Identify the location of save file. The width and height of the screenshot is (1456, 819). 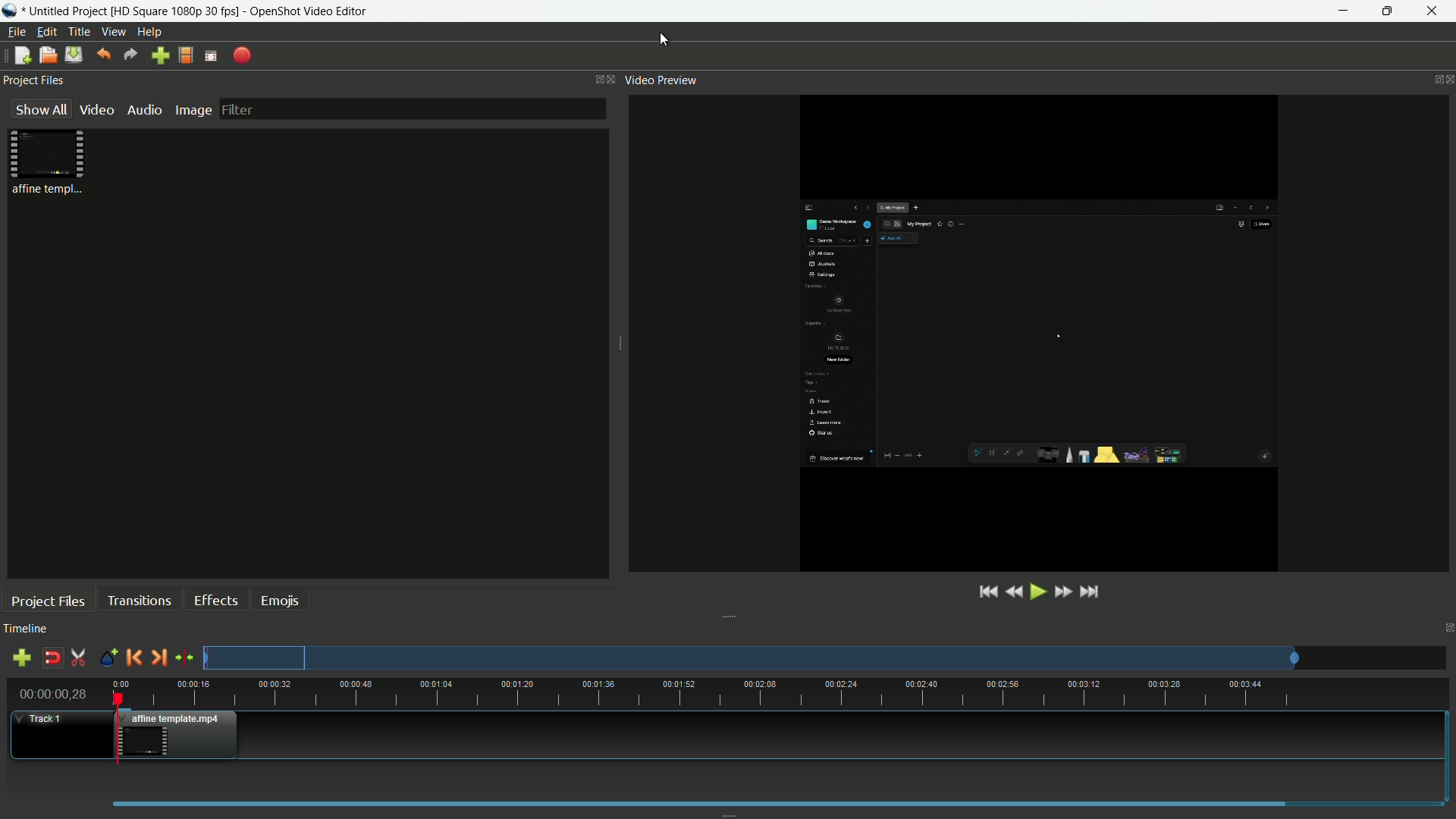
(73, 55).